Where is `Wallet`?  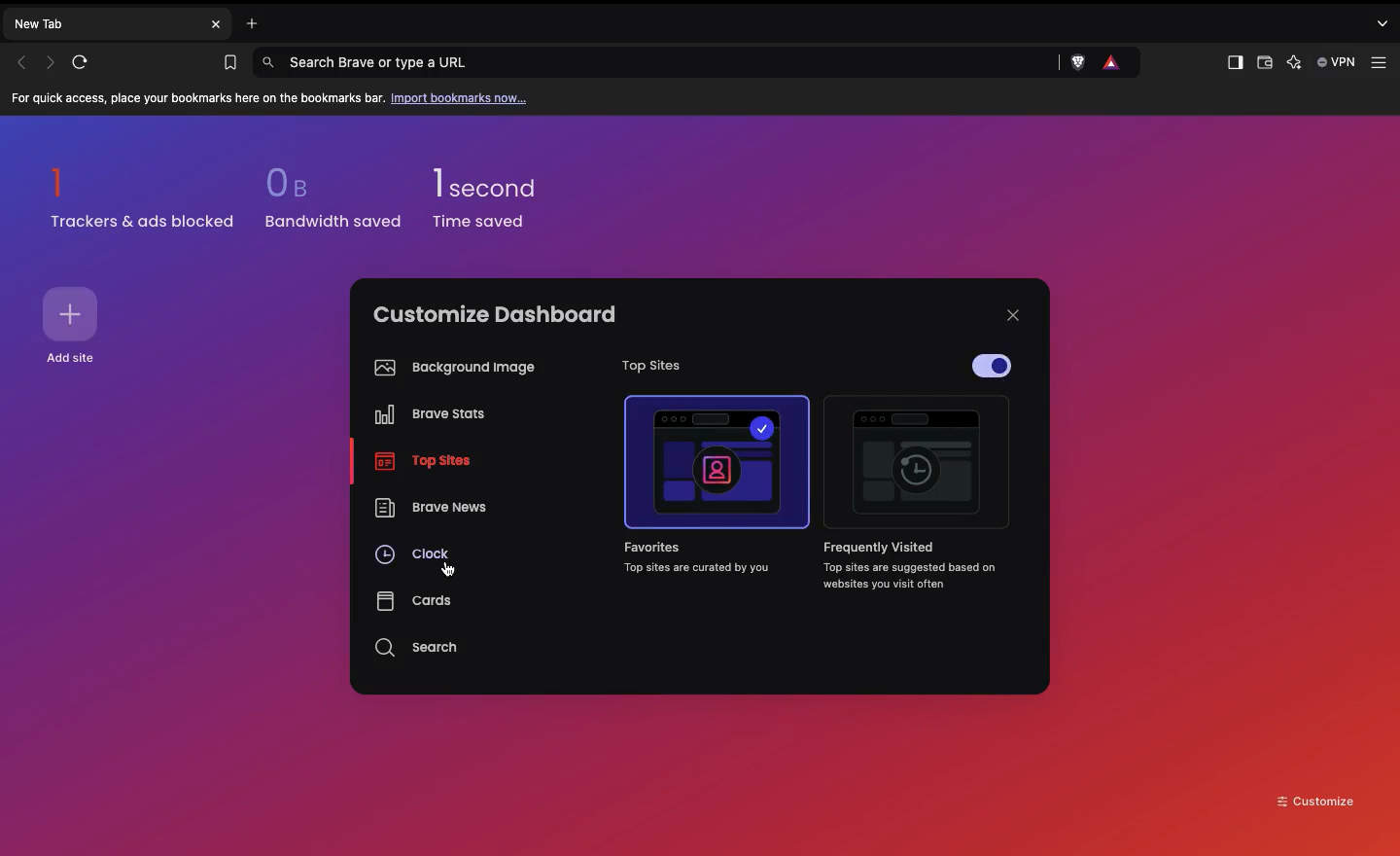
Wallet is located at coordinates (1263, 65).